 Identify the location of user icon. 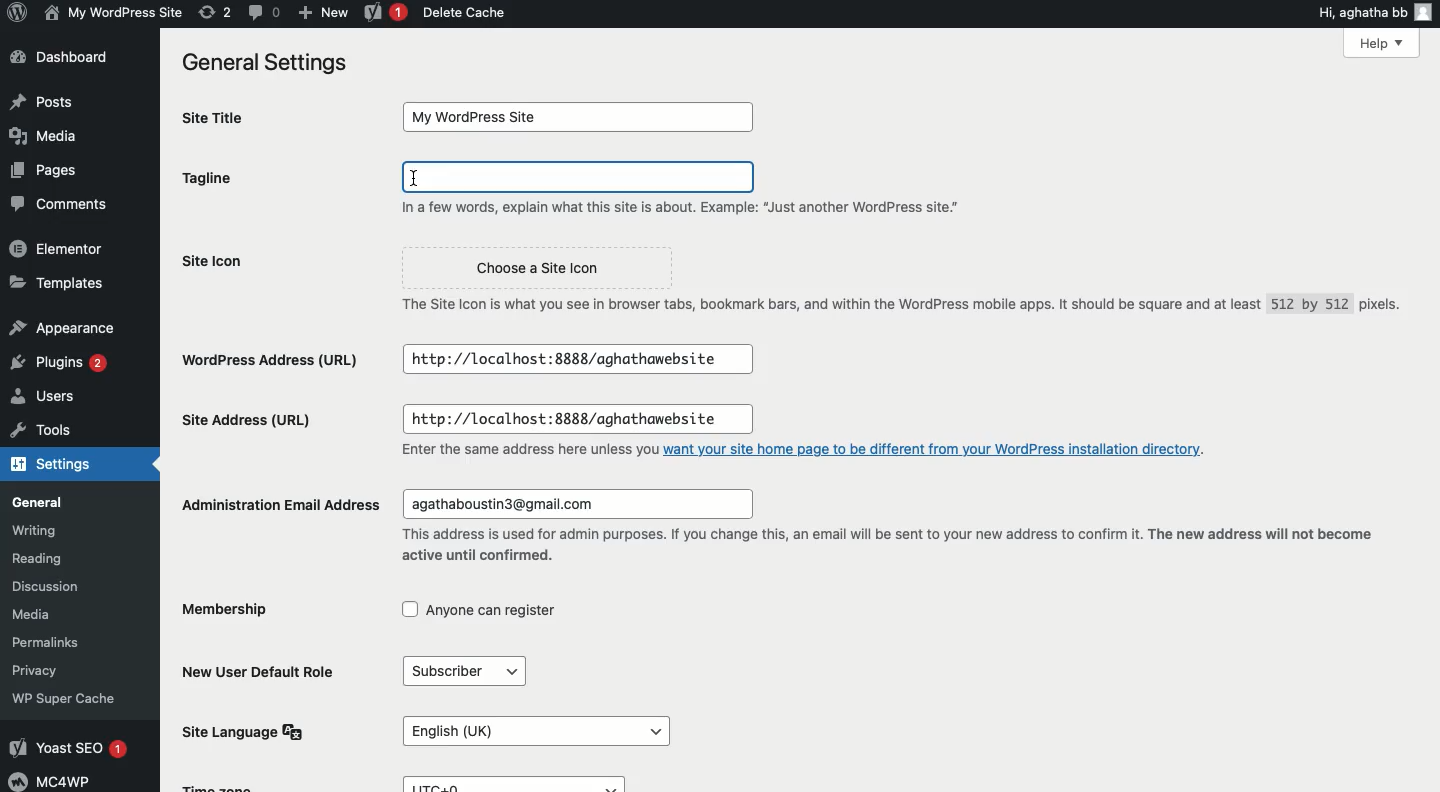
(1426, 11).